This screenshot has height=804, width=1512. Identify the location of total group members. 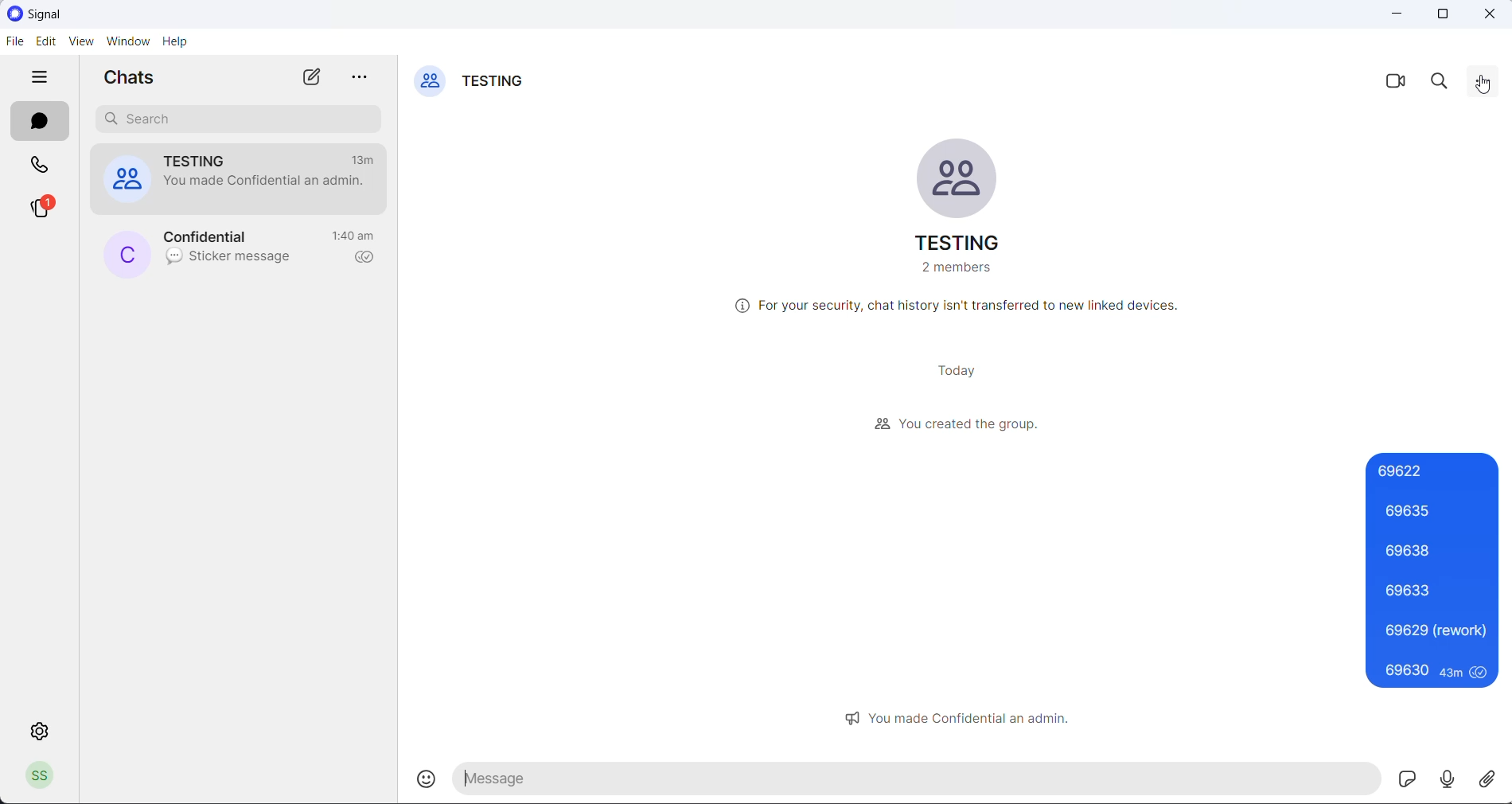
(955, 271).